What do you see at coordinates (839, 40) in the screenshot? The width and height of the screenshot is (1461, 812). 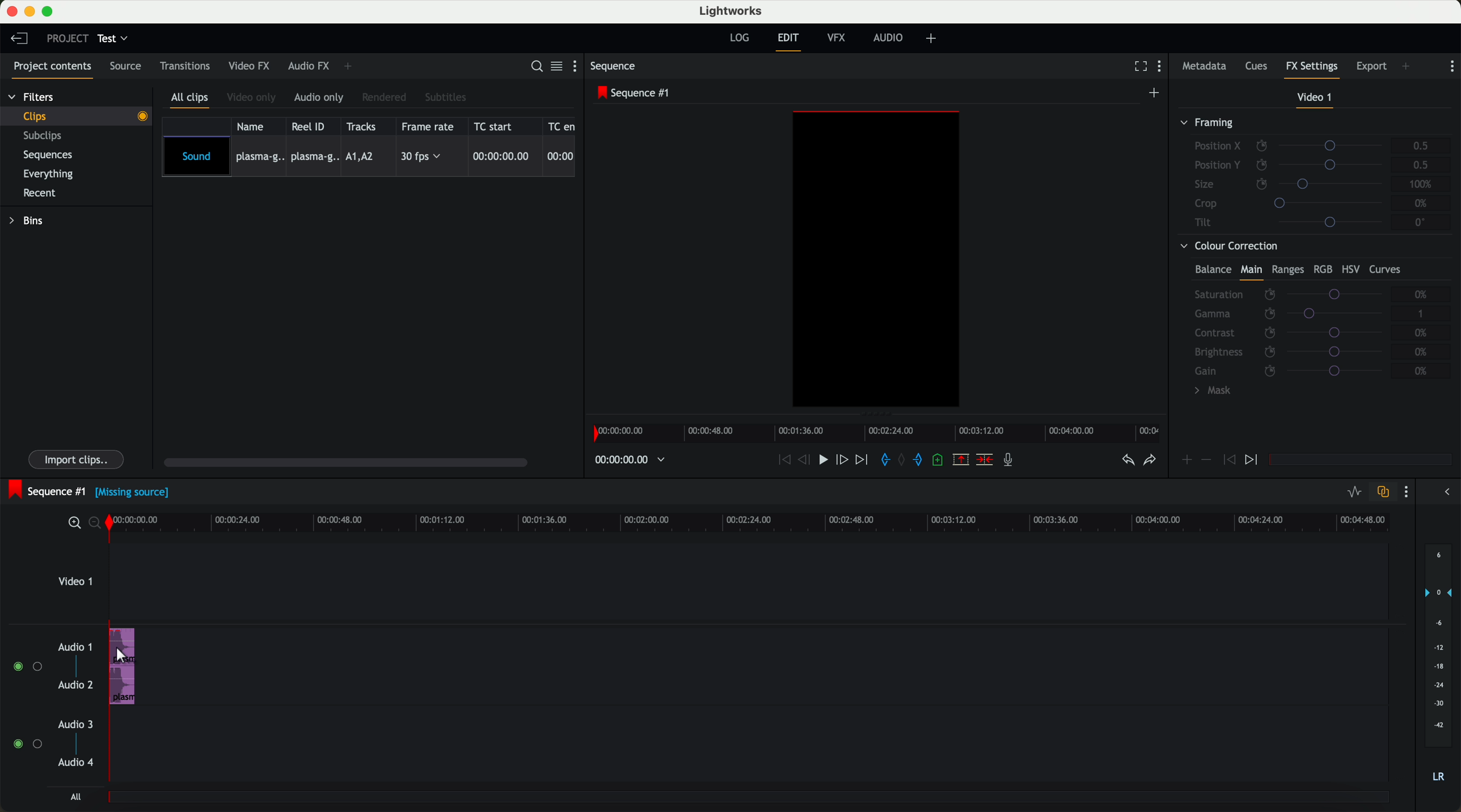 I see `VFX` at bounding box center [839, 40].